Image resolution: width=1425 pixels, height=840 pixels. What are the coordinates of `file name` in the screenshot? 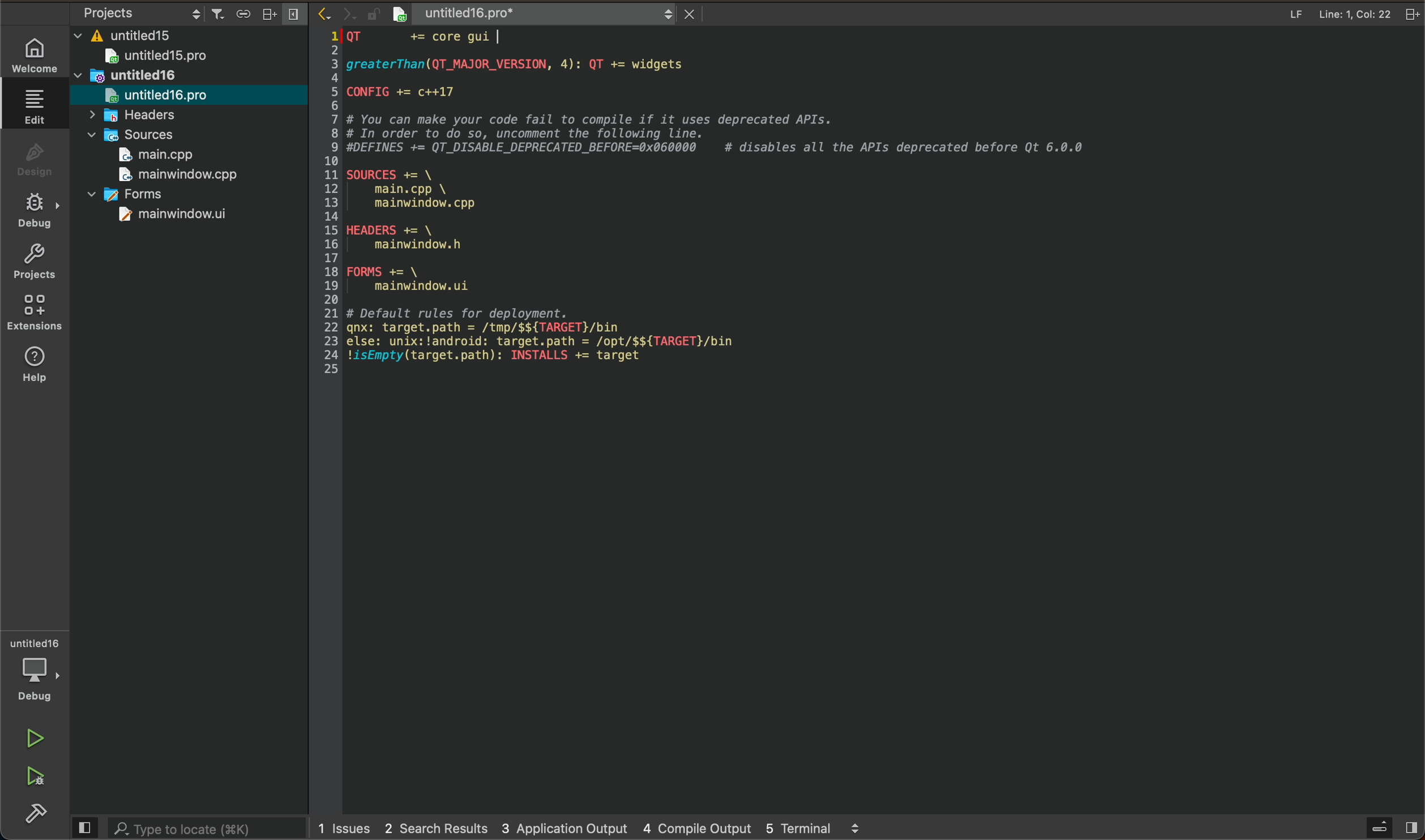 It's located at (508, 14).